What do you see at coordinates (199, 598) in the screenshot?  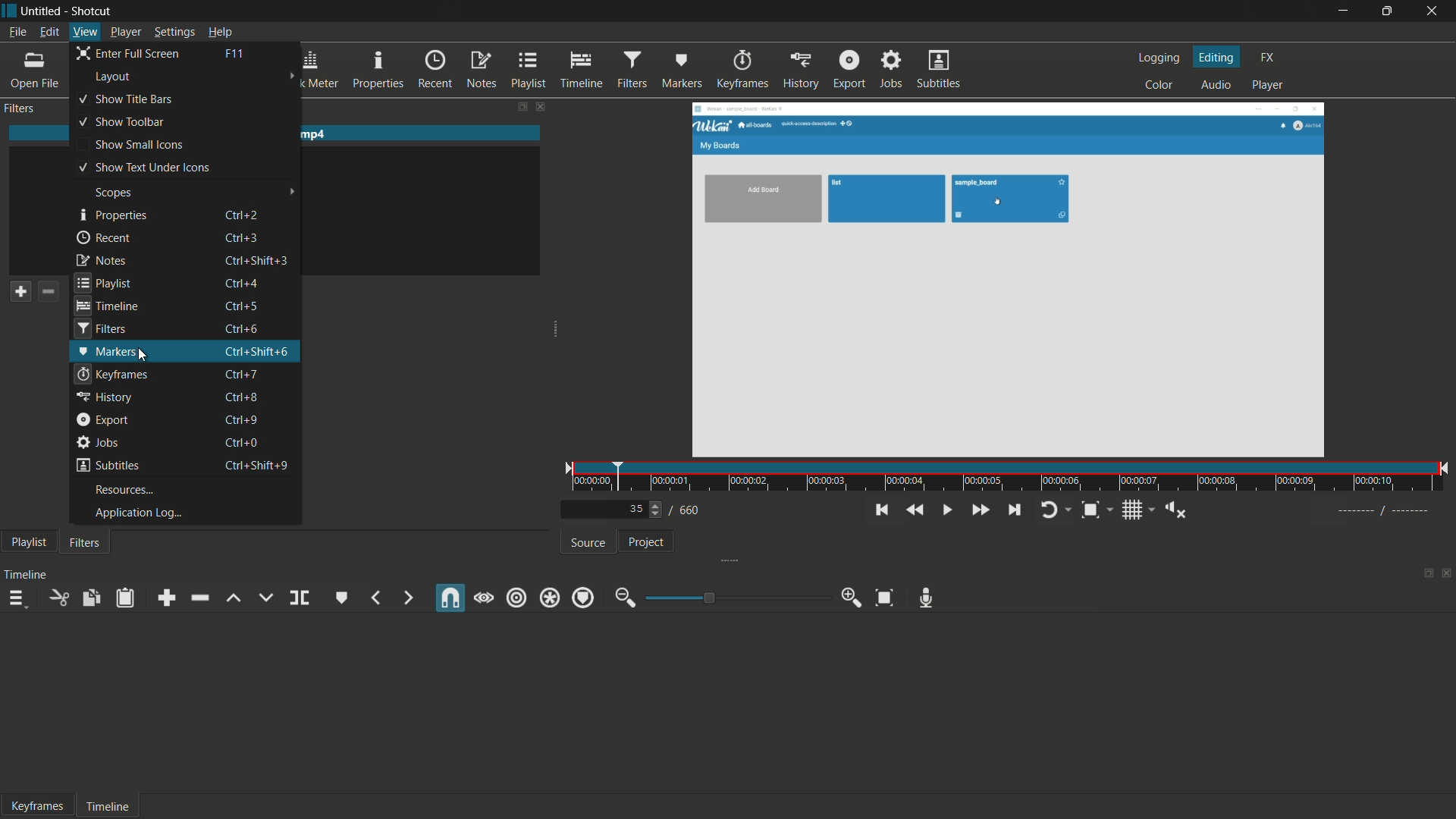 I see `ripple delete` at bounding box center [199, 598].